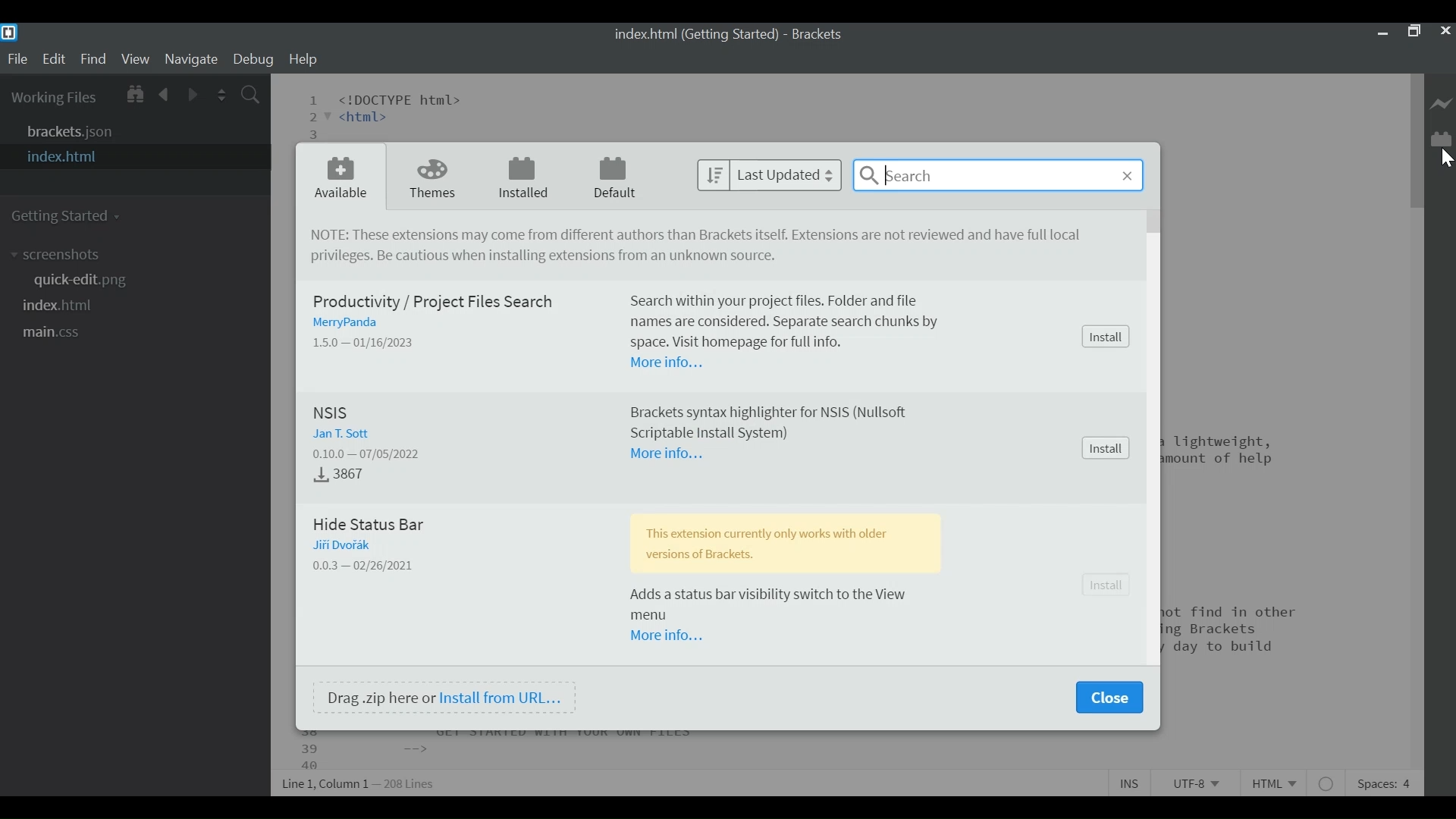 The image size is (1456, 819). What do you see at coordinates (542, 257) in the screenshot?
I see `Be cautious installing extensions from unknown source` at bounding box center [542, 257].